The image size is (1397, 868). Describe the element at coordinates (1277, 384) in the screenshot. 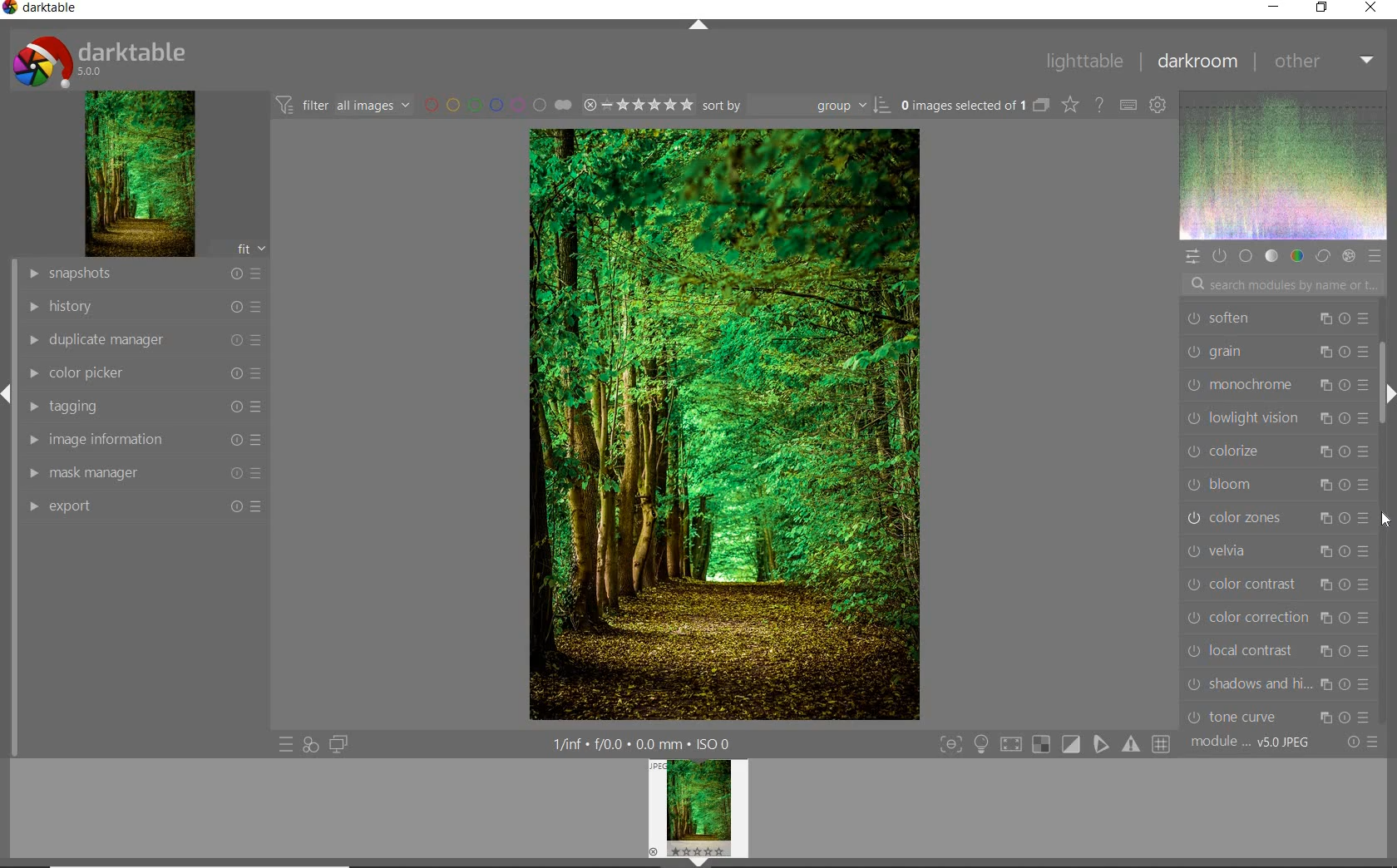

I see `monochrome` at that location.